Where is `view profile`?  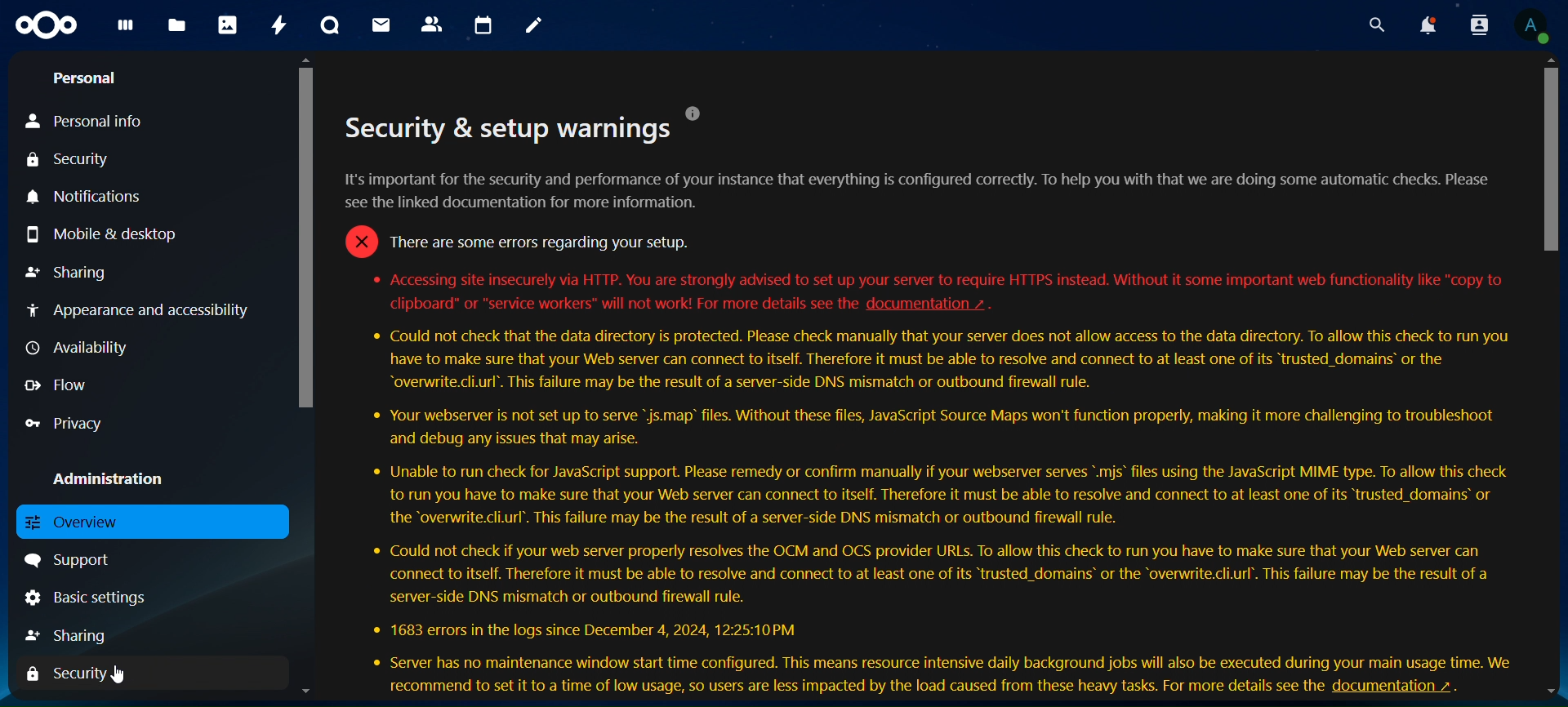 view profile is located at coordinates (1527, 24).